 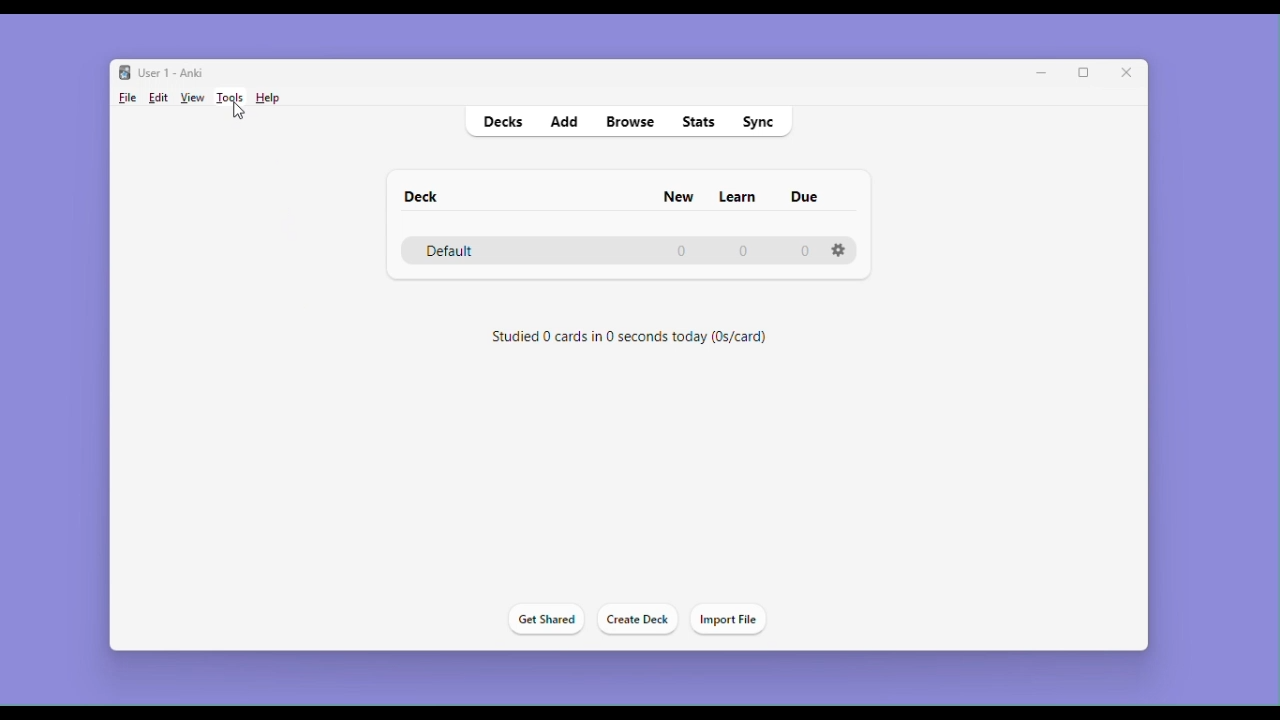 I want to click on 0, so click(x=680, y=249).